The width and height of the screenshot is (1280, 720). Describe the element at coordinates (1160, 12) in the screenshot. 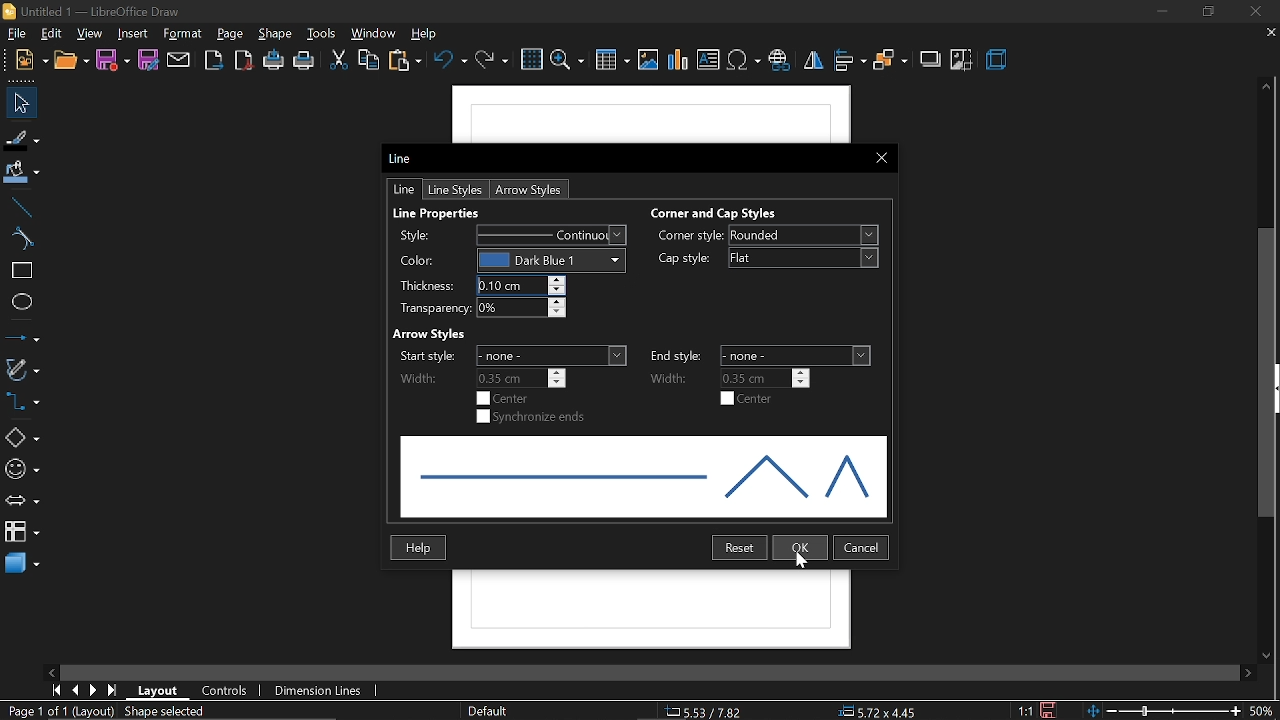

I see `minimize` at that location.